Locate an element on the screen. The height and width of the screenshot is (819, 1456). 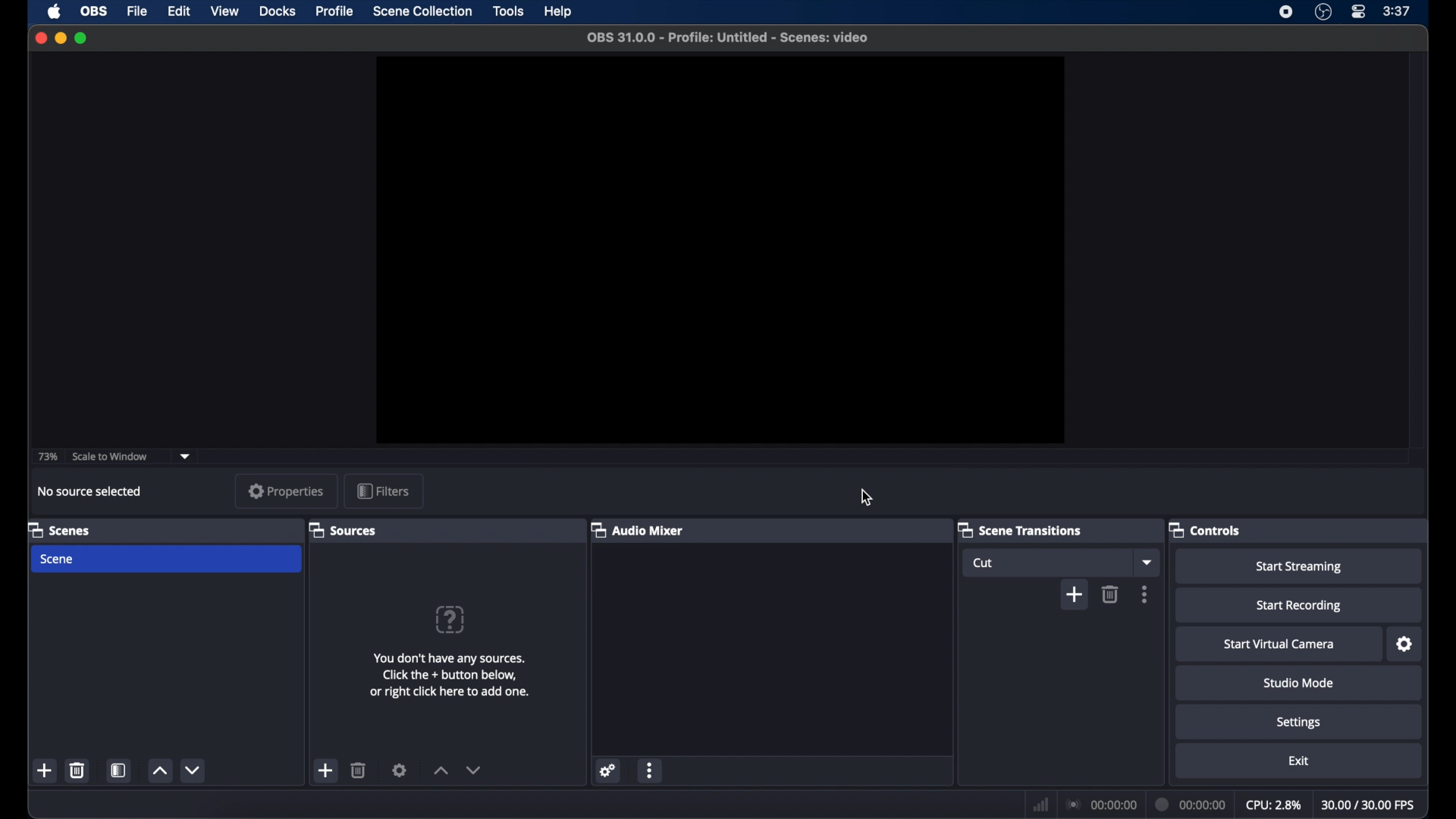
delete is located at coordinates (77, 770).